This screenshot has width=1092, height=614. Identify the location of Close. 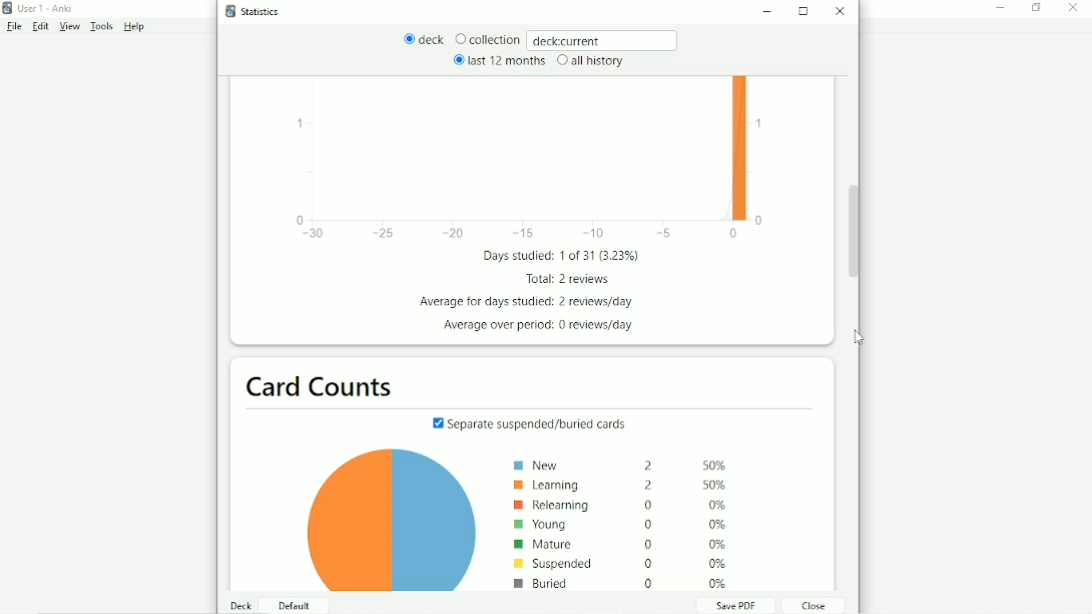
(811, 605).